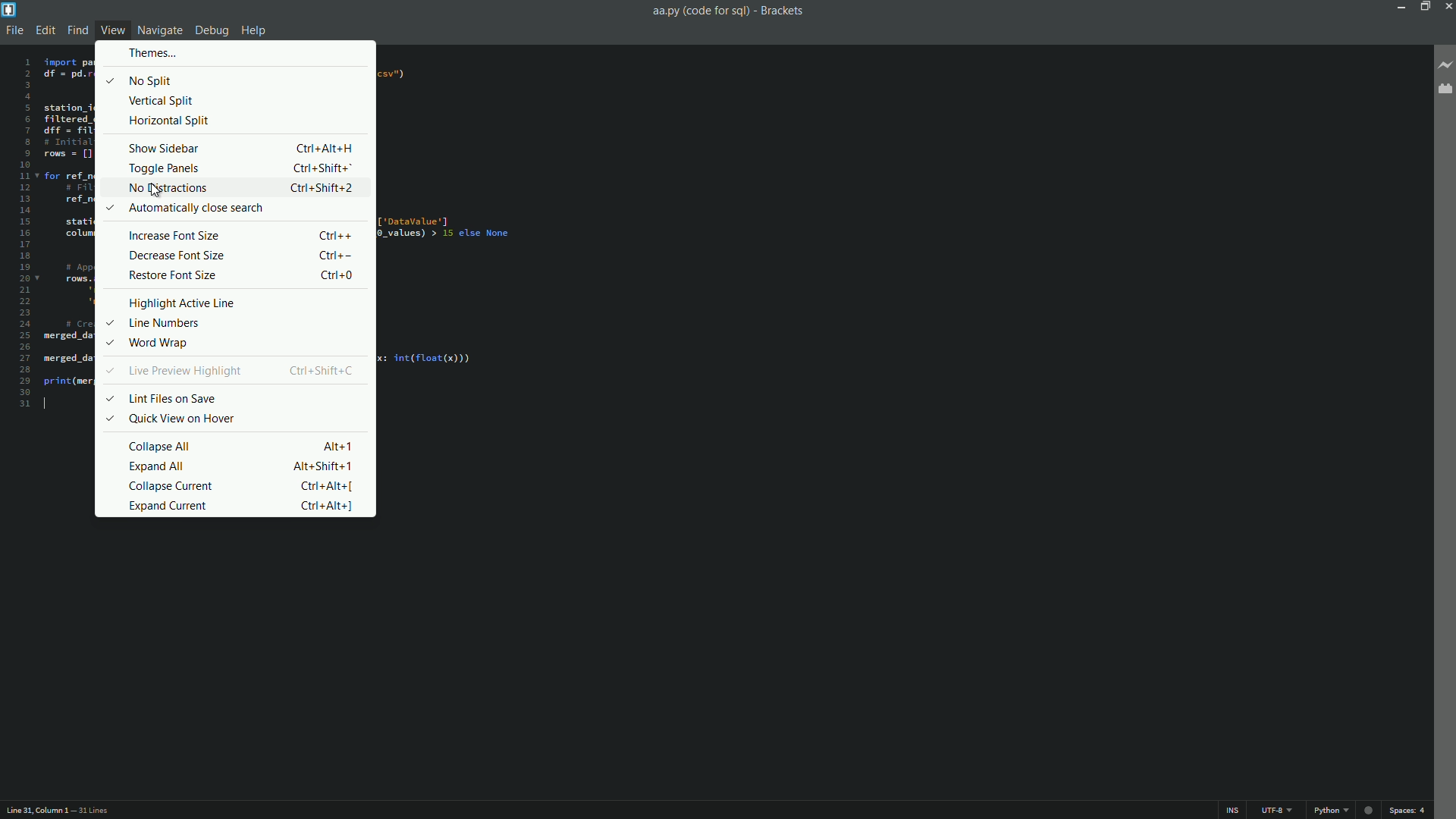  Describe the element at coordinates (108, 371) in the screenshot. I see `Selected` at that location.